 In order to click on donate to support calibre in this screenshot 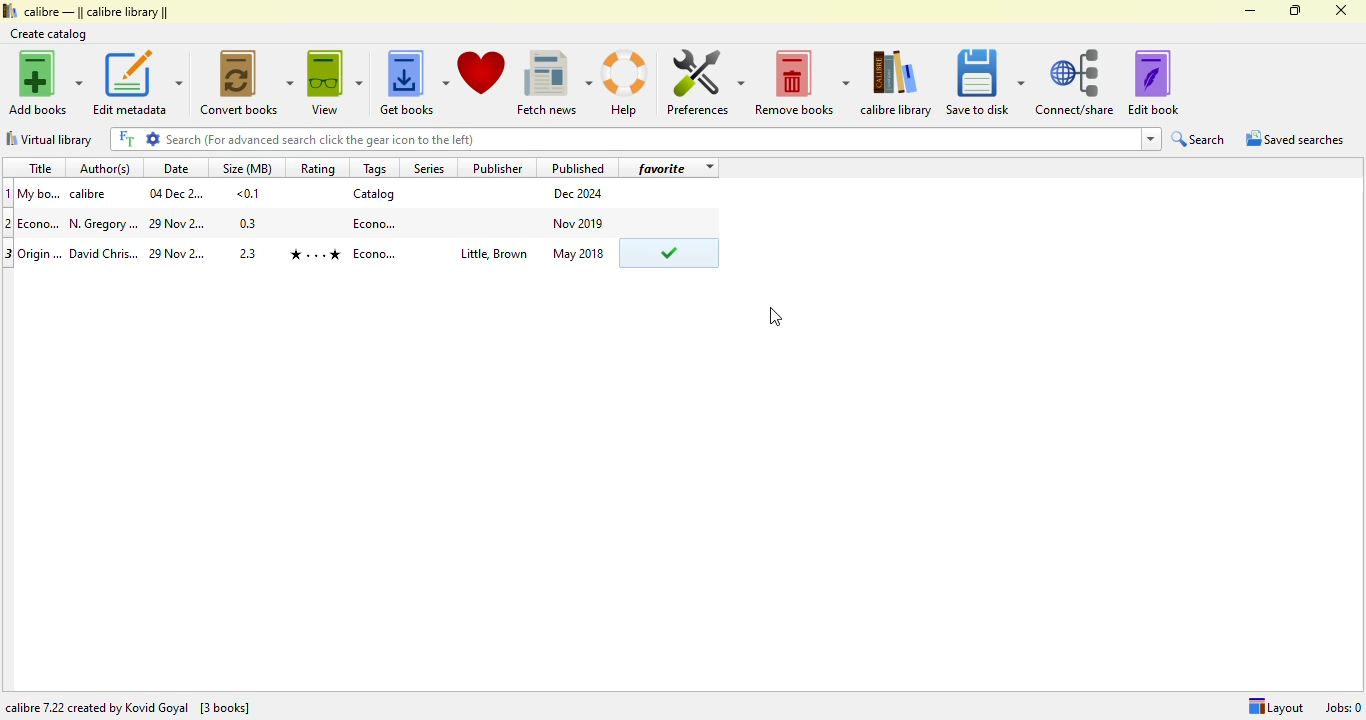, I will do `click(482, 73)`.